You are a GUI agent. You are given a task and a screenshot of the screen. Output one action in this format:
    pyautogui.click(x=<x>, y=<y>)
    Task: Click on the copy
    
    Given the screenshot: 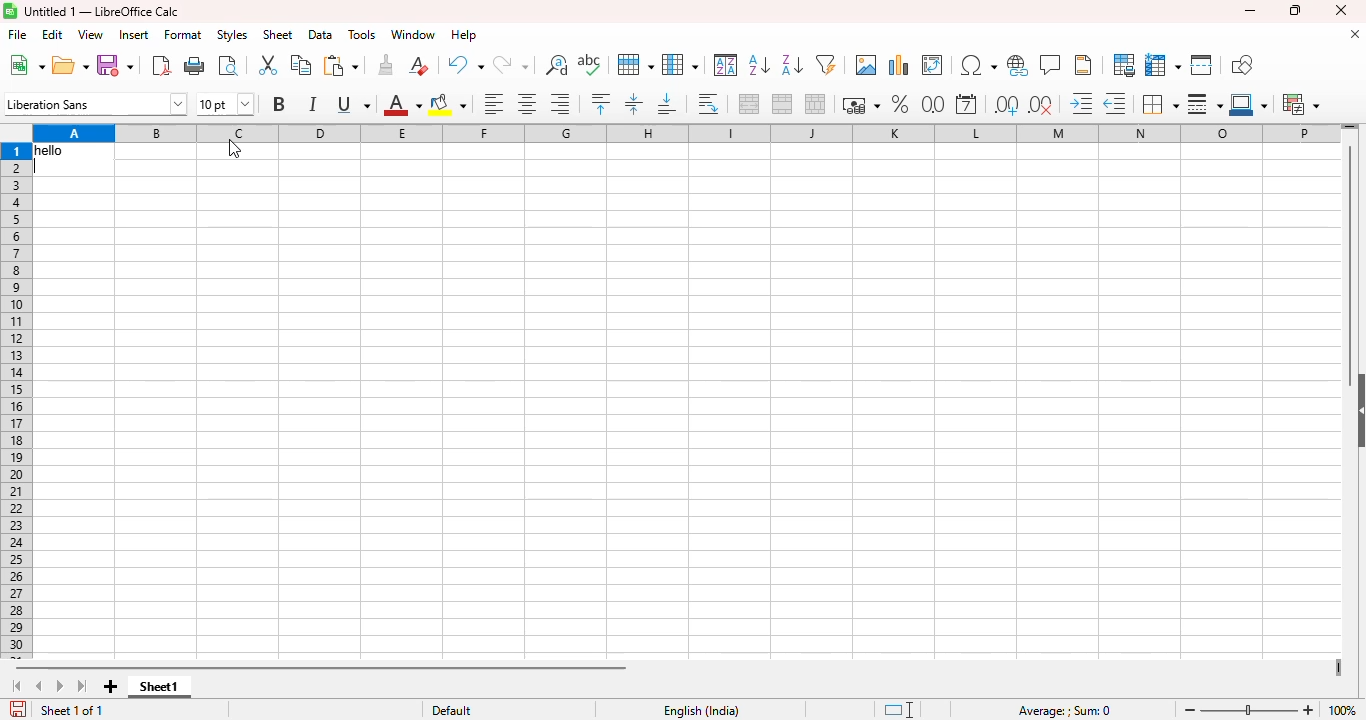 What is the action you would take?
    pyautogui.click(x=301, y=64)
    